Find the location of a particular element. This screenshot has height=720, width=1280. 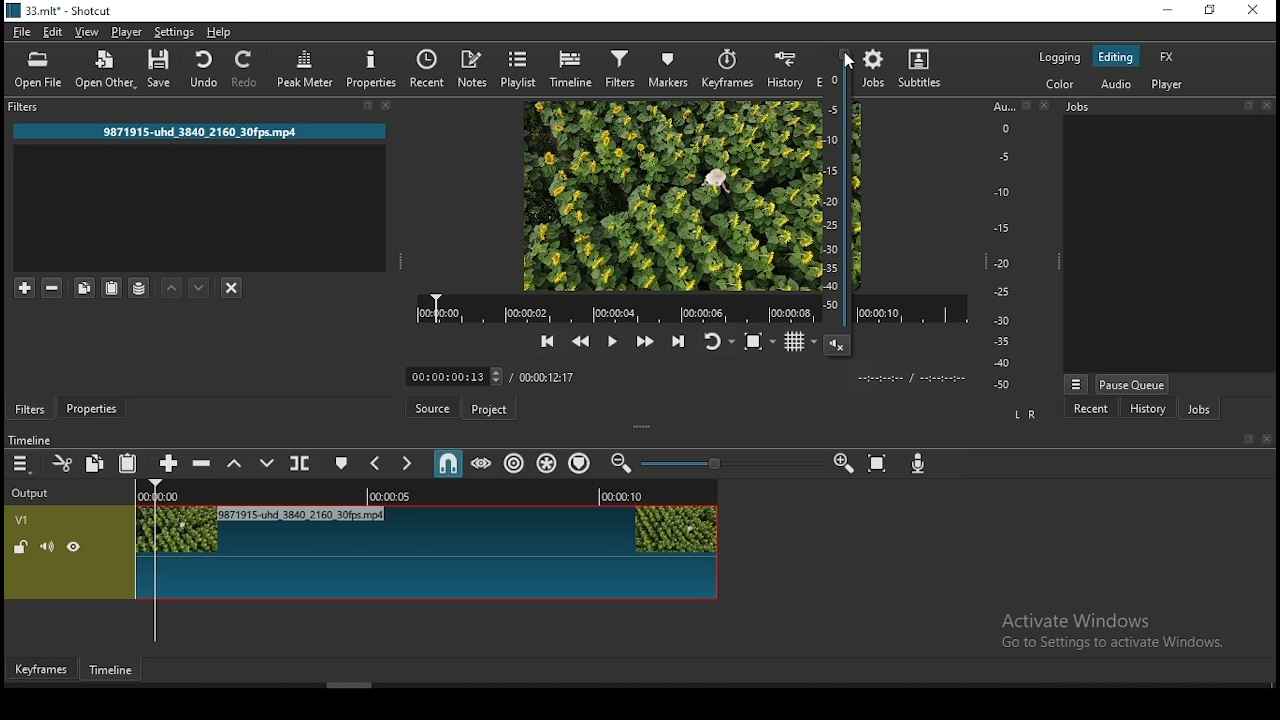

create/edit marker is located at coordinates (342, 464).